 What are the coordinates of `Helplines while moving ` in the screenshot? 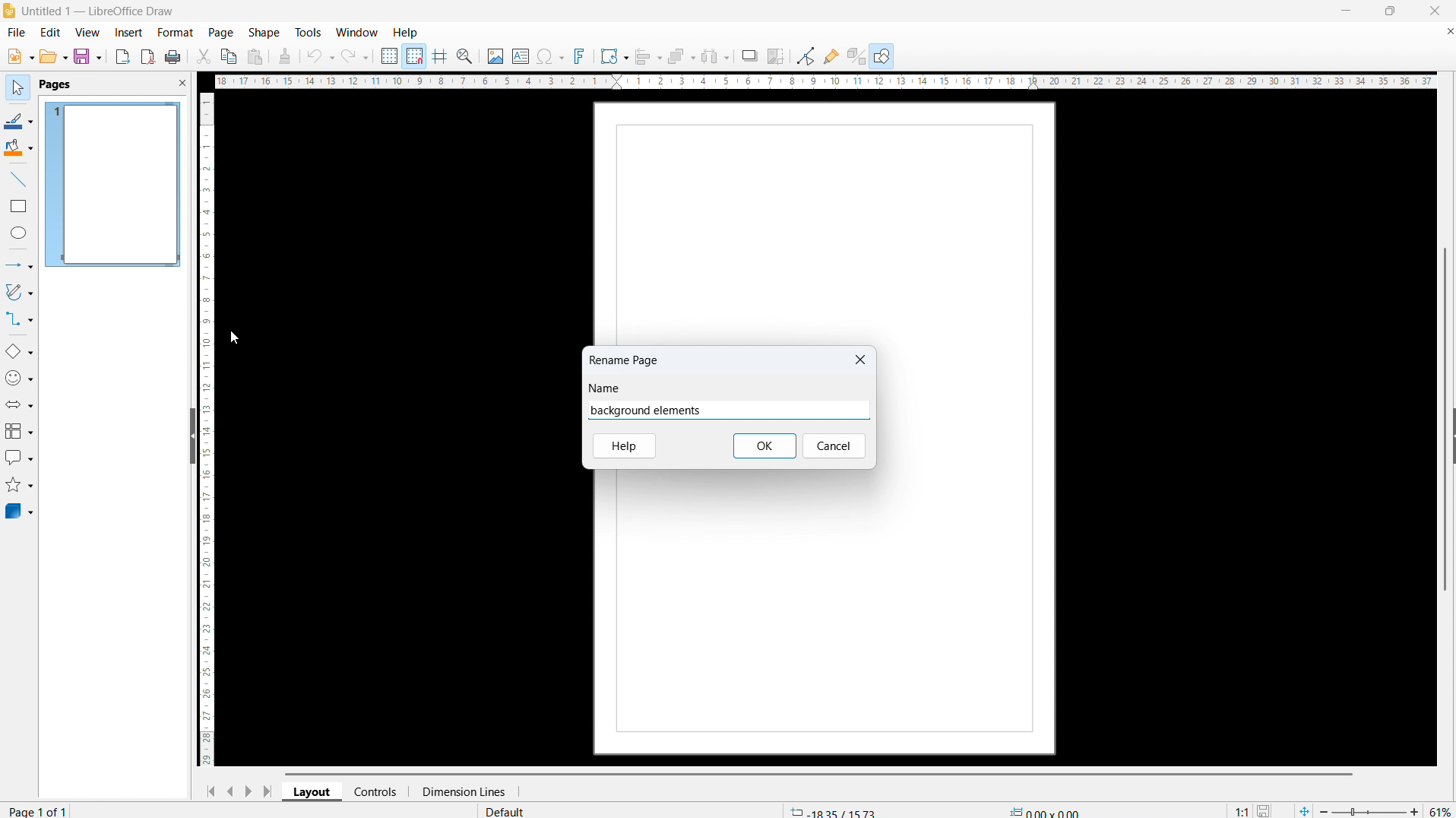 It's located at (440, 55).